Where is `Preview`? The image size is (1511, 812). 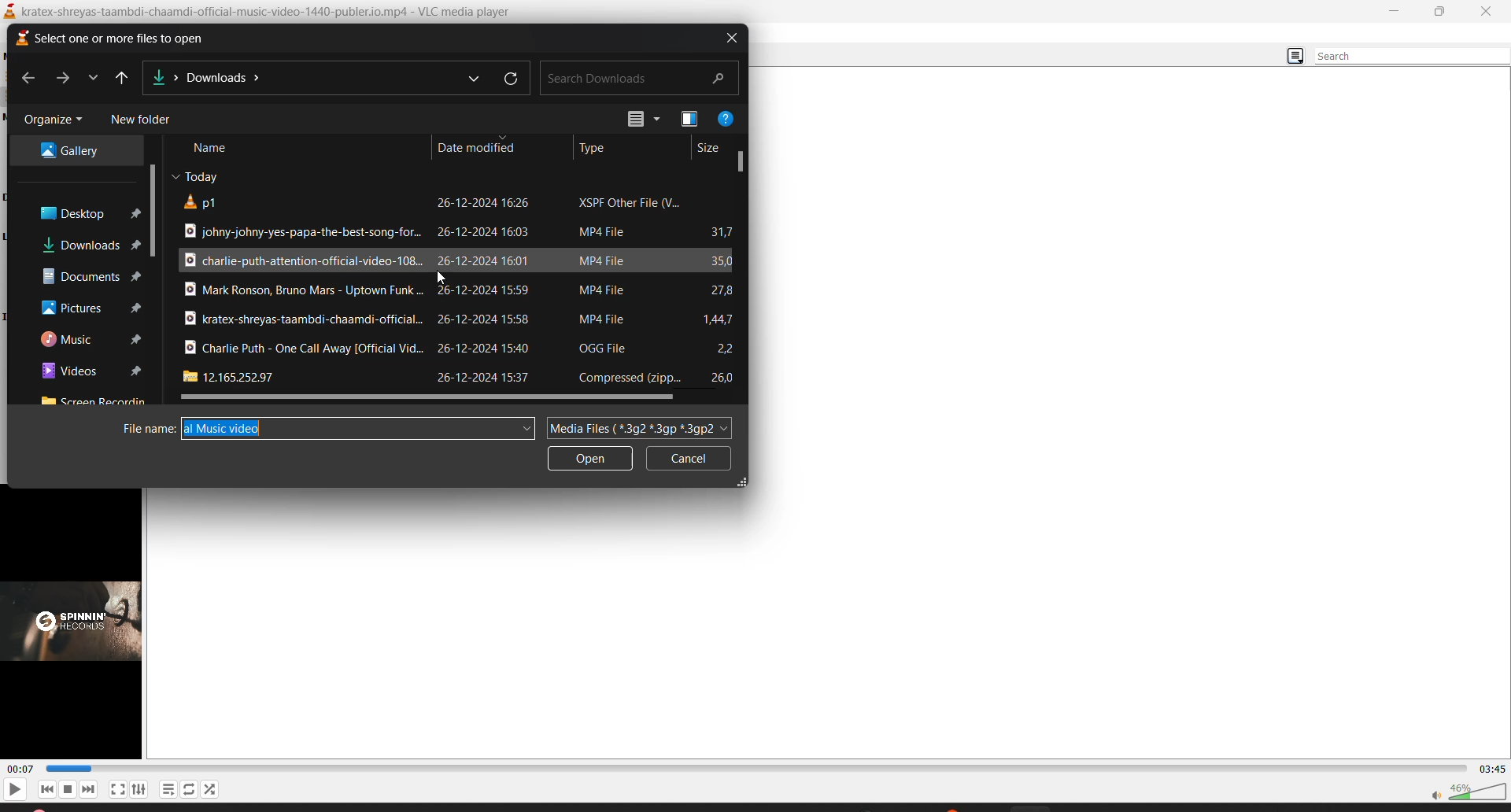
Preview is located at coordinates (688, 120).